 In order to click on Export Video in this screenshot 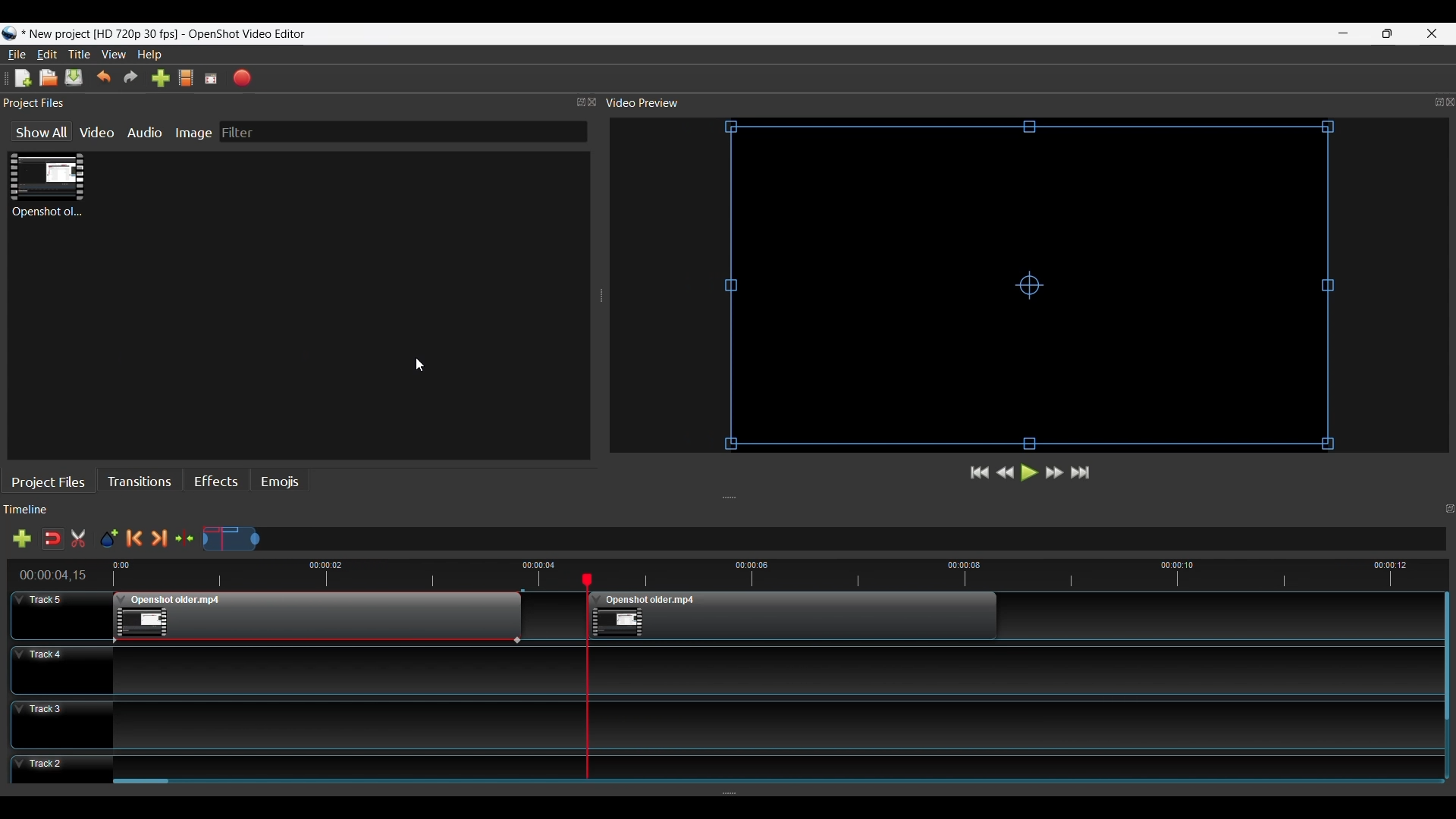, I will do `click(243, 77)`.